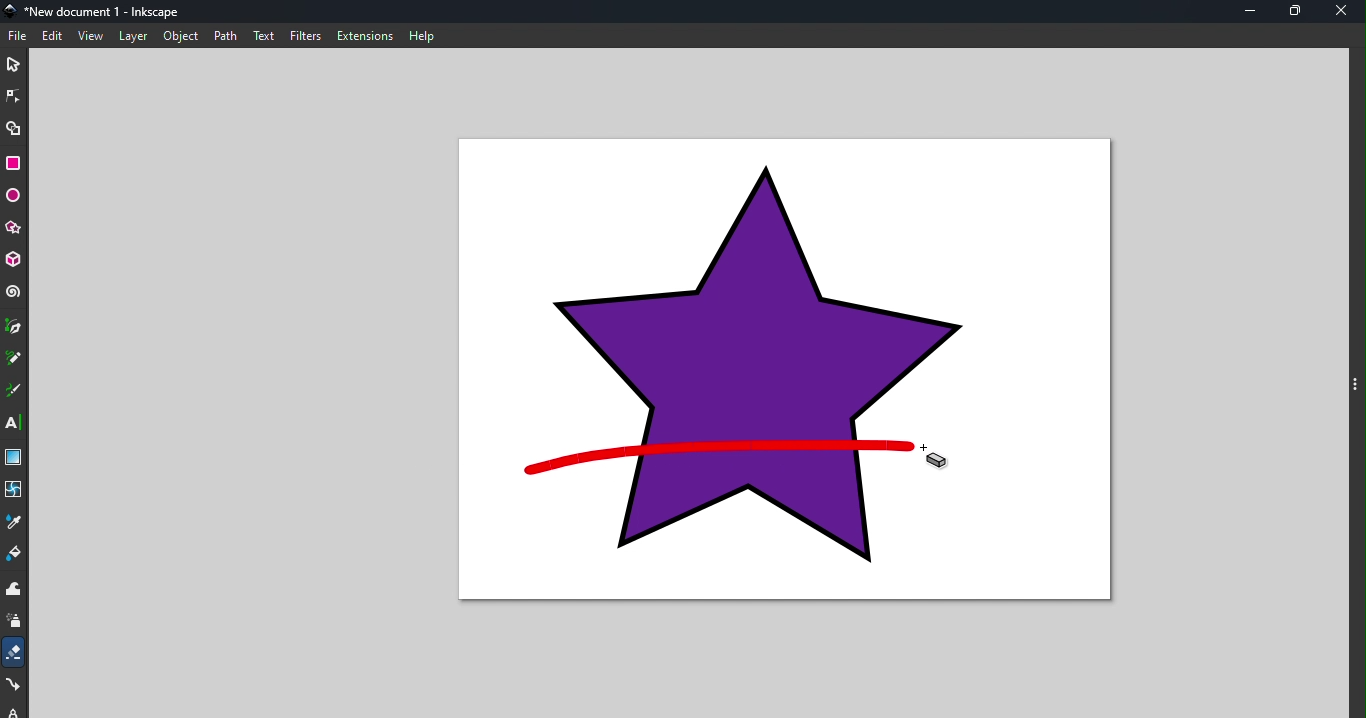  Describe the element at coordinates (14, 260) in the screenshot. I see `3D box tool` at that location.